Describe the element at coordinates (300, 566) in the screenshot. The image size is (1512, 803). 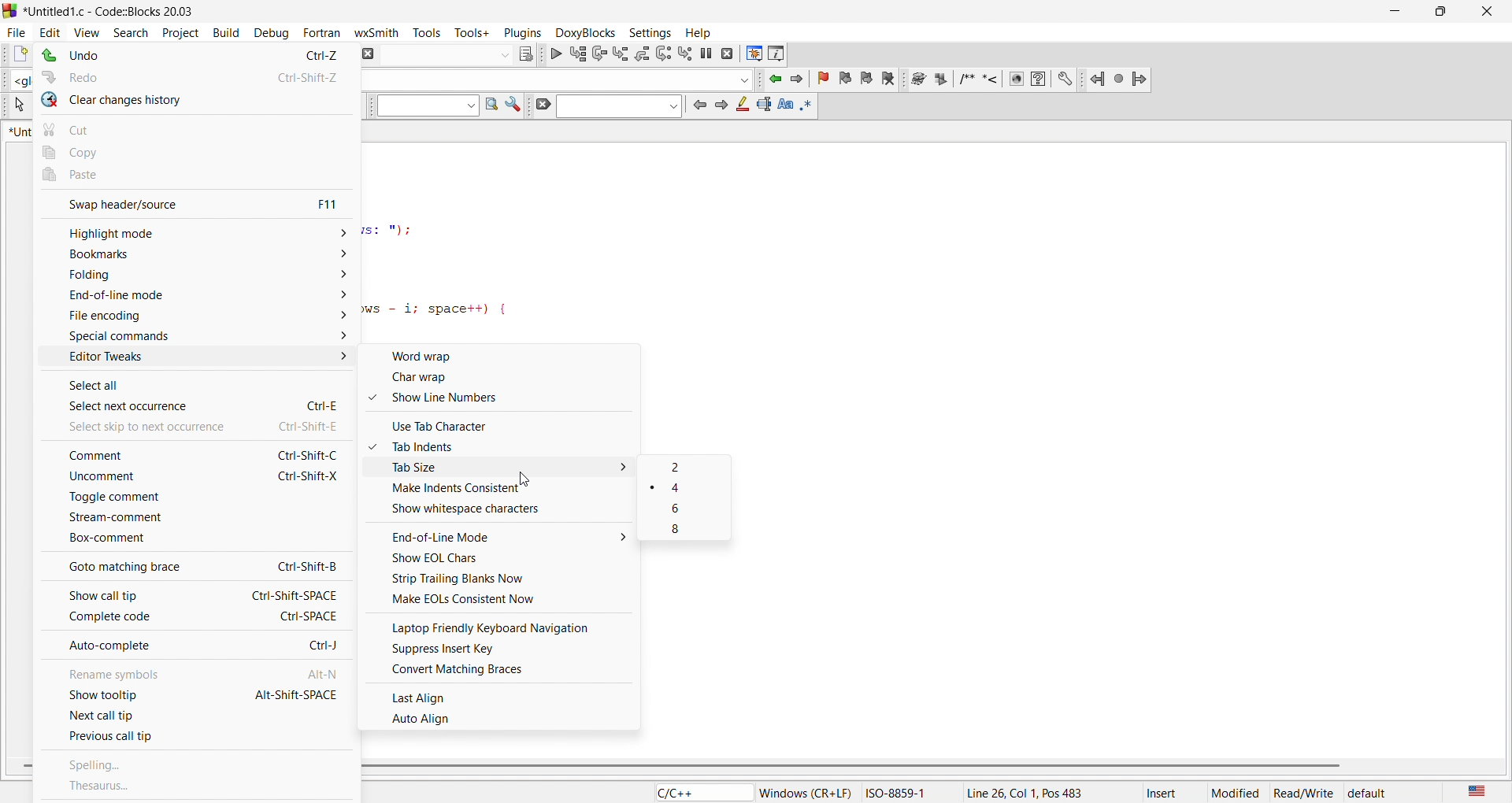
I see `Ctrl-Shift-8` at that location.